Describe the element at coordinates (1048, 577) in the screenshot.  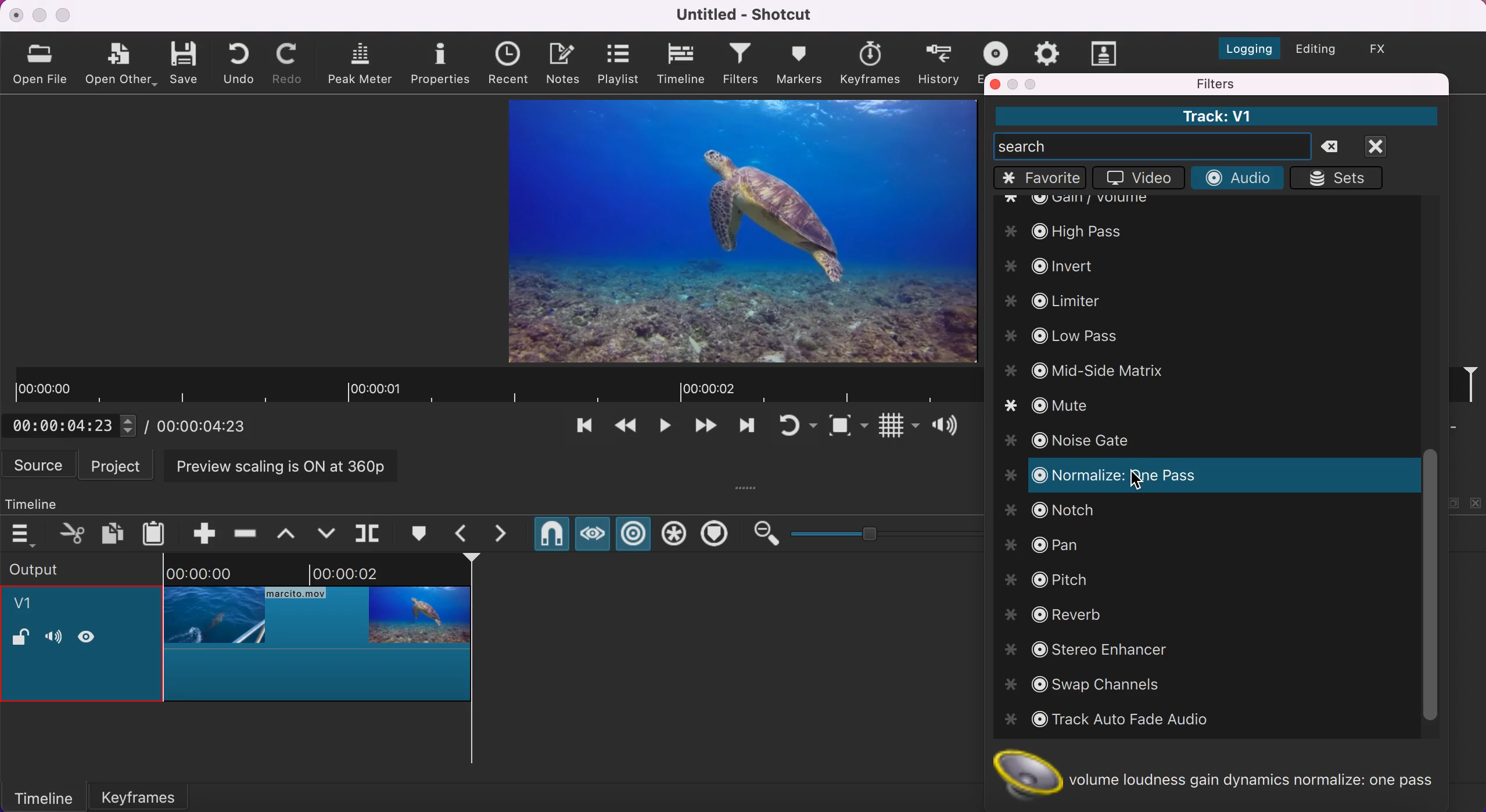
I see `Pitch` at that location.